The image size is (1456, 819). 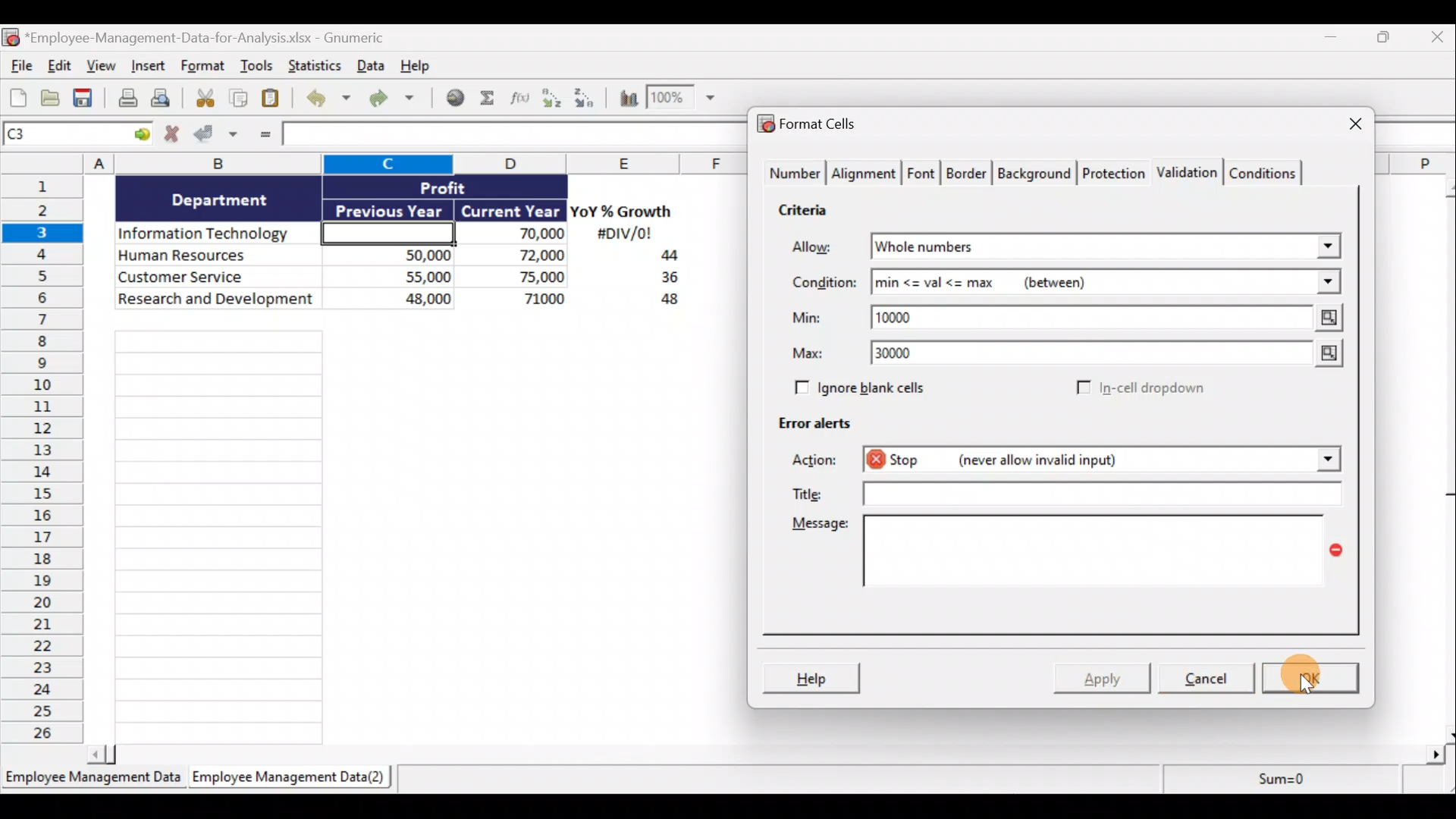 What do you see at coordinates (1064, 560) in the screenshot?
I see `Message` at bounding box center [1064, 560].